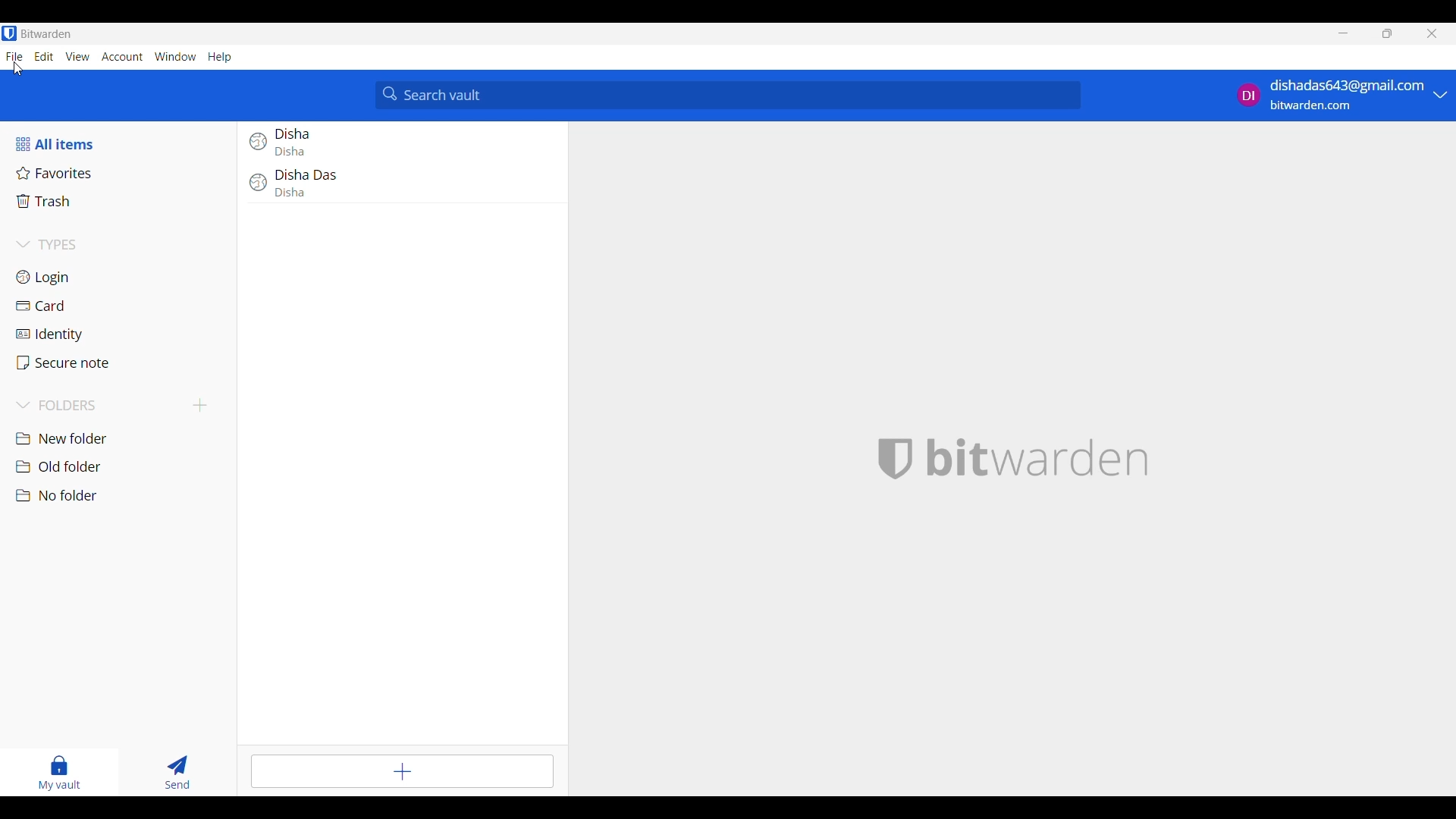 This screenshot has width=1456, height=819. Describe the element at coordinates (175, 56) in the screenshot. I see `Window menu` at that location.